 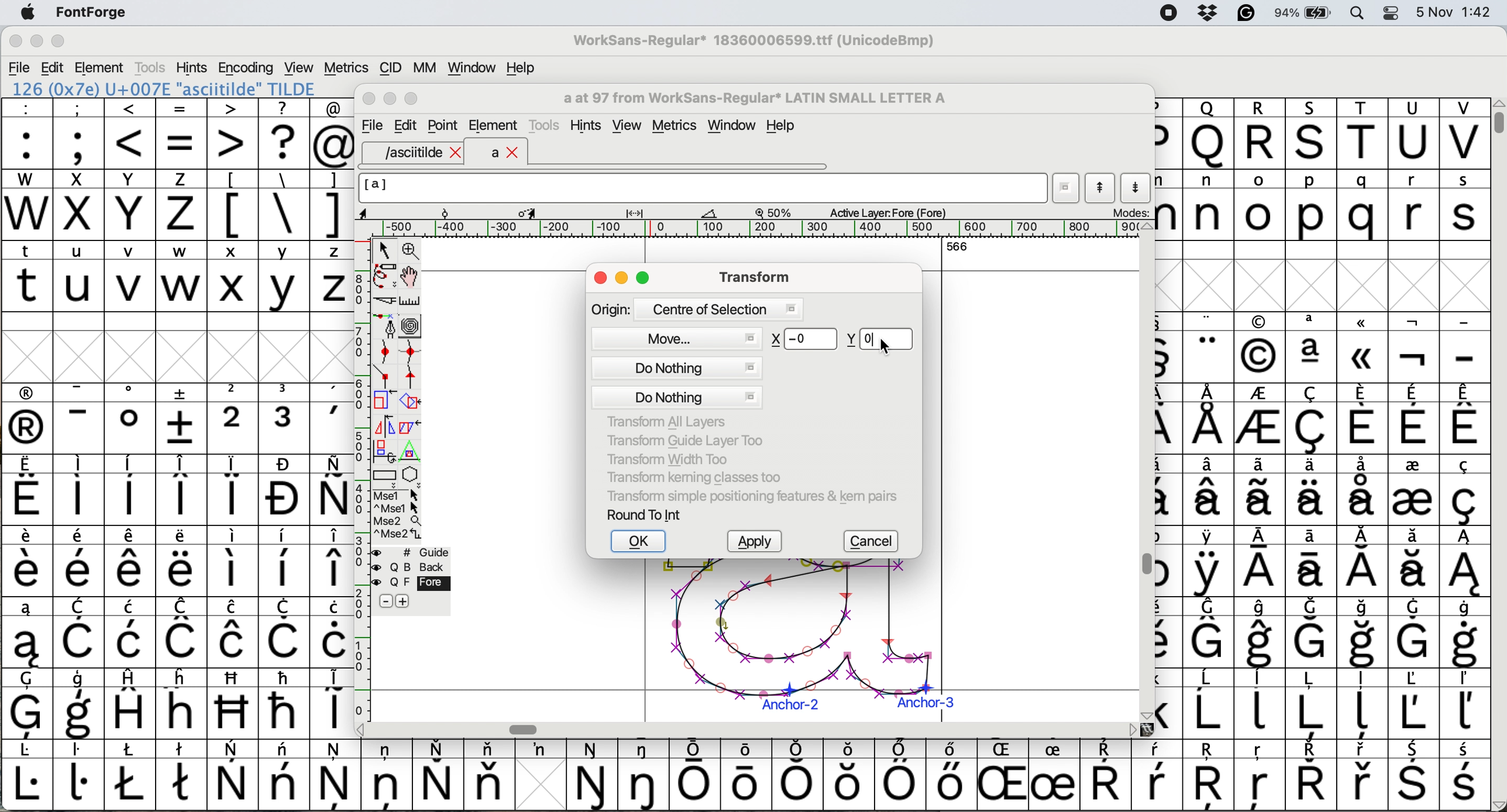 I want to click on minimise, so click(x=623, y=279).